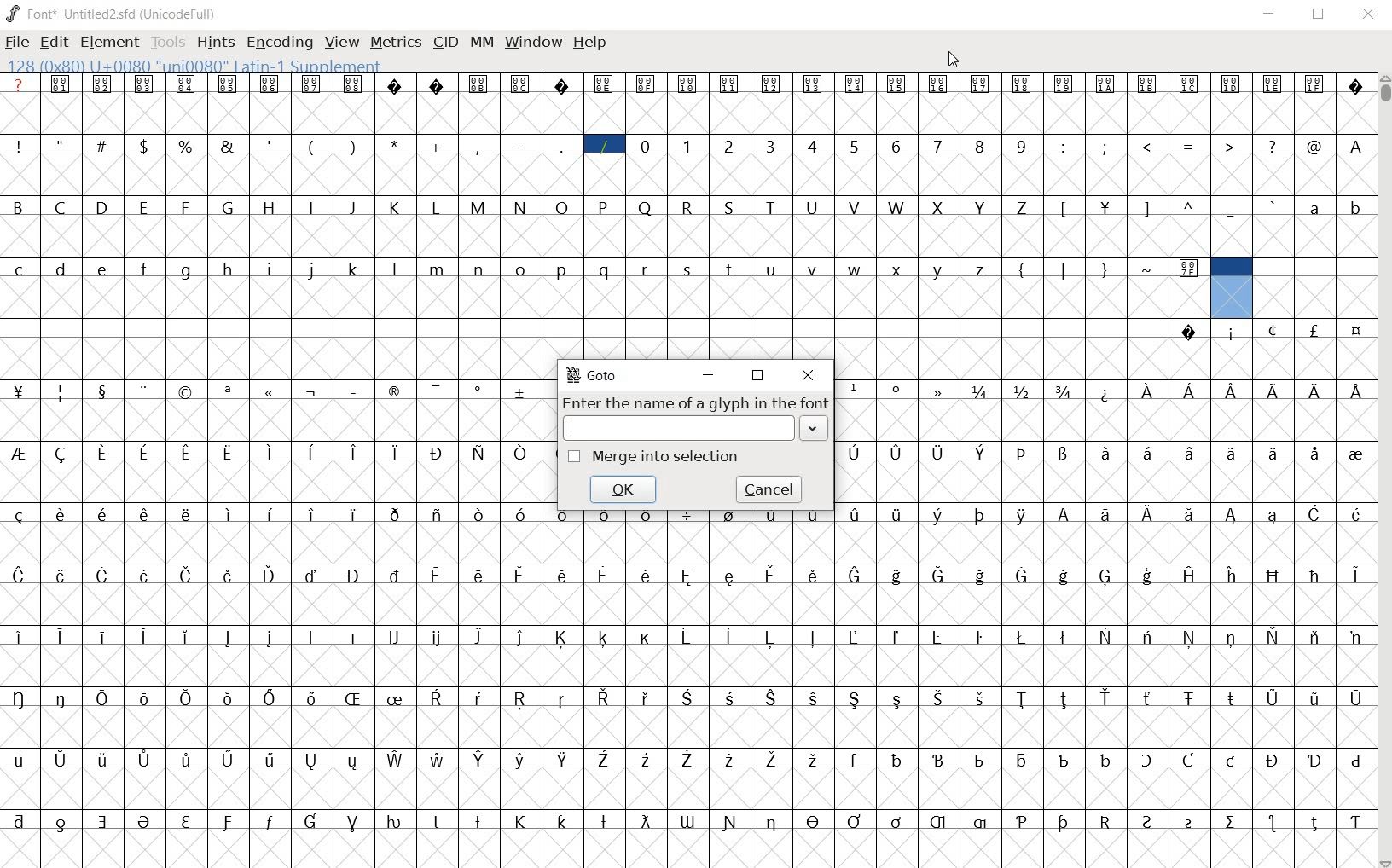 Image resolution: width=1392 pixels, height=868 pixels. What do you see at coordinates (441, 697) in the screenshot?
I see `Symbol` at bounding box center [441, 697].